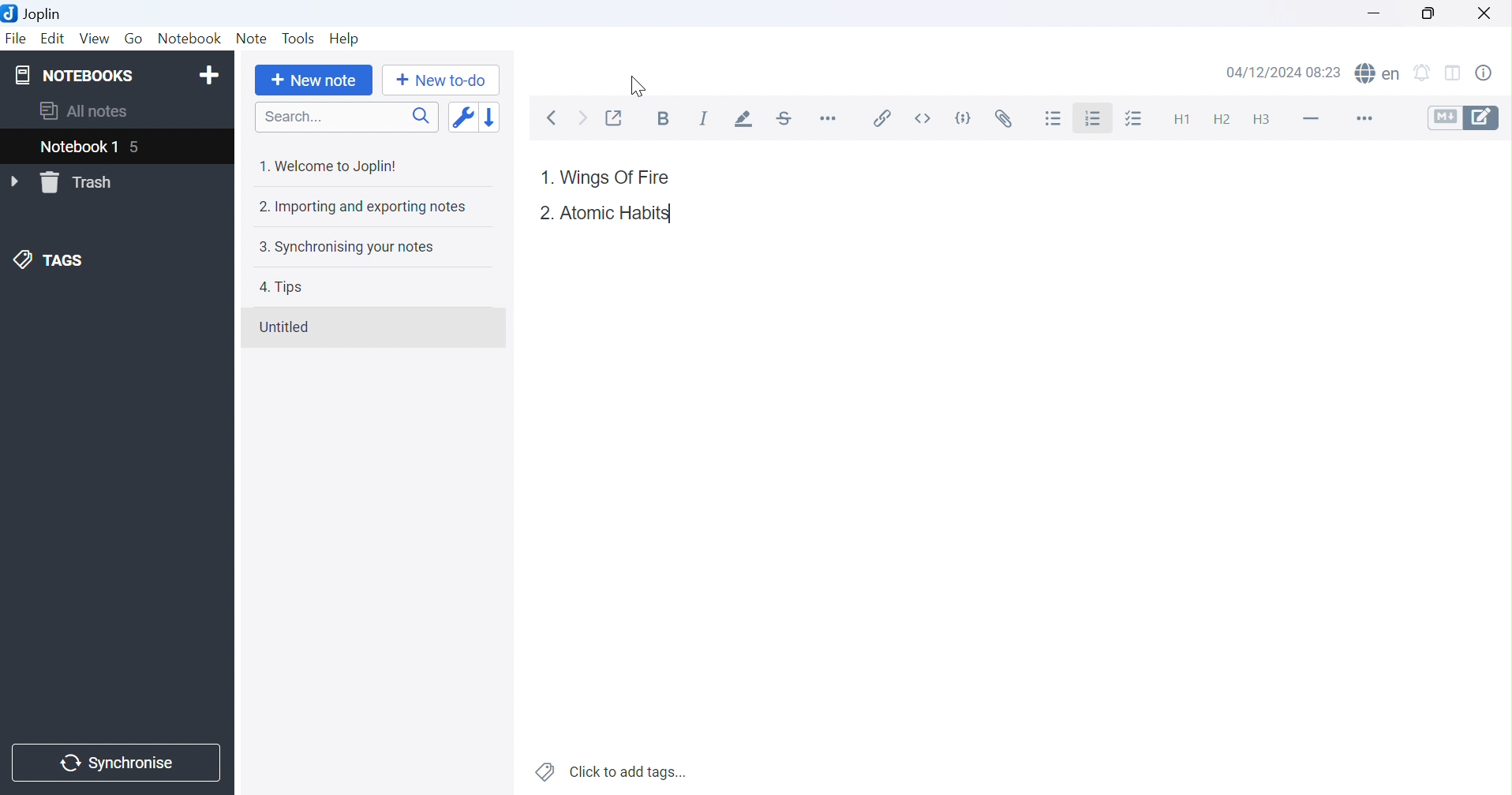 This screenshot has width=1512, height=795. What do you see at coordinates (745, 120) in the screenshot?
I see `Highlight` at bounding box center [745, 120].